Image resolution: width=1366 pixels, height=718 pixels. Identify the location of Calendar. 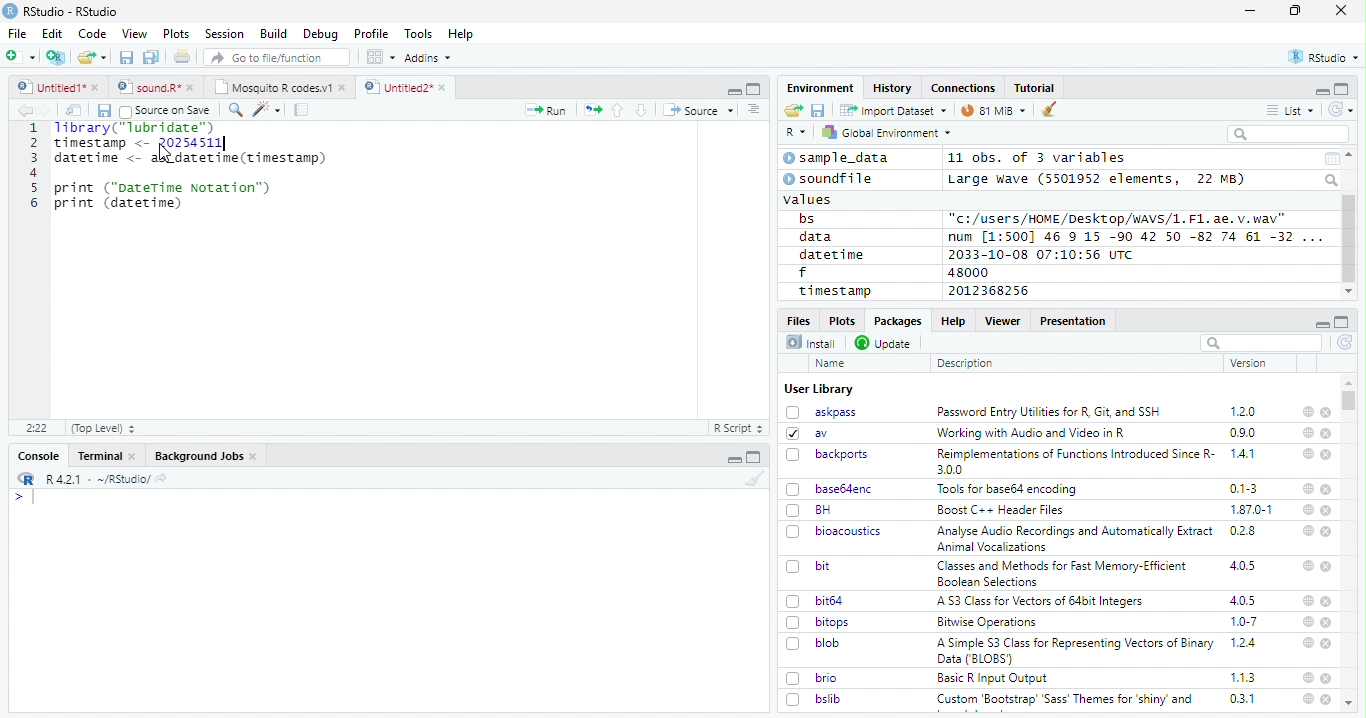
(1331, 159).